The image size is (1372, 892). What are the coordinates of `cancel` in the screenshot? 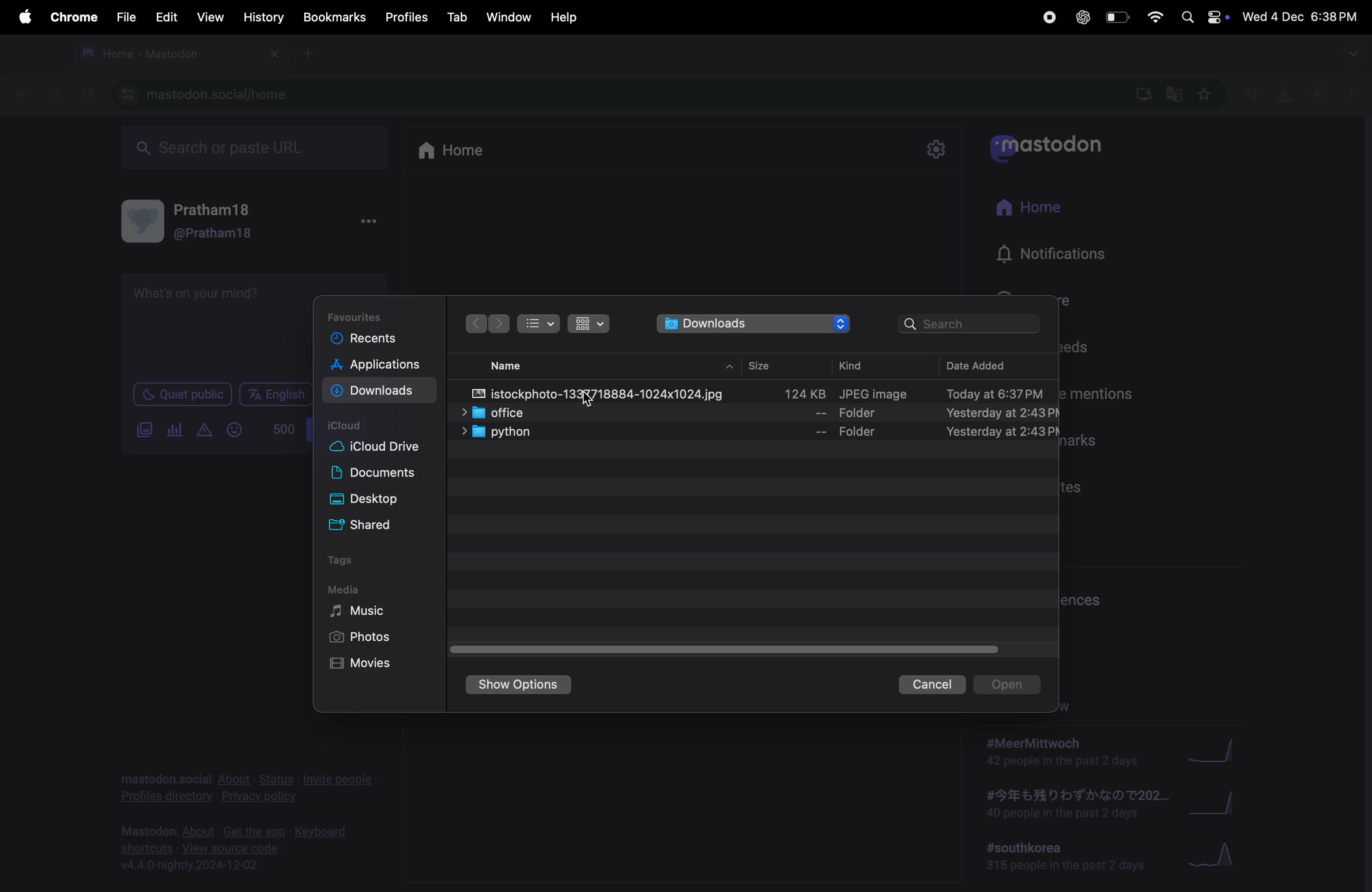 It's located at (929, 685).